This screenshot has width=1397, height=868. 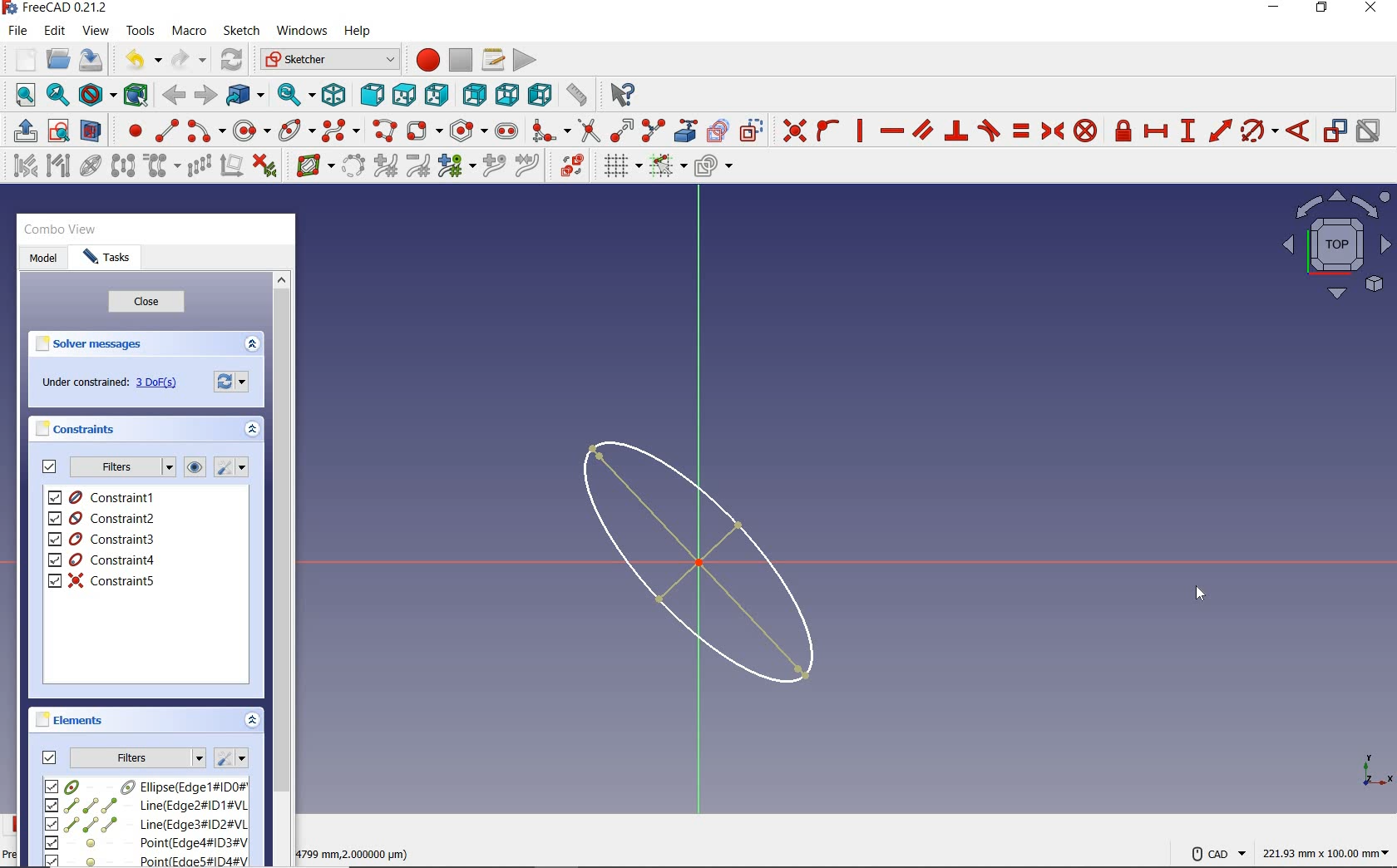 What do you see at coordinates (1335, 130) in the screenshot?
I see `toggle driving/ reference constraint` at bounding box center [1335, 130].